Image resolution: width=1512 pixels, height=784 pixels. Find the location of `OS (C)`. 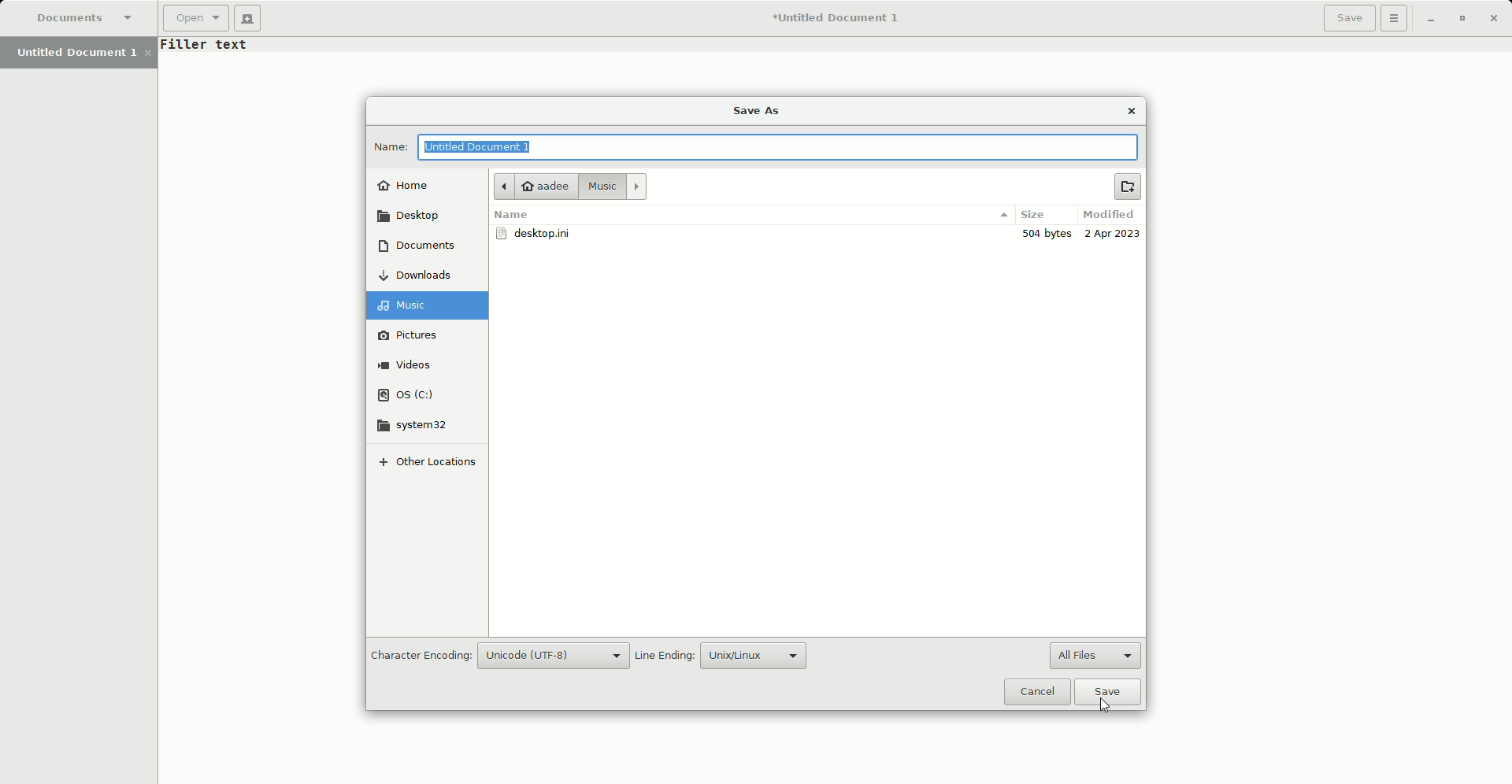

OS (C) is located at coordinates (415, 398).